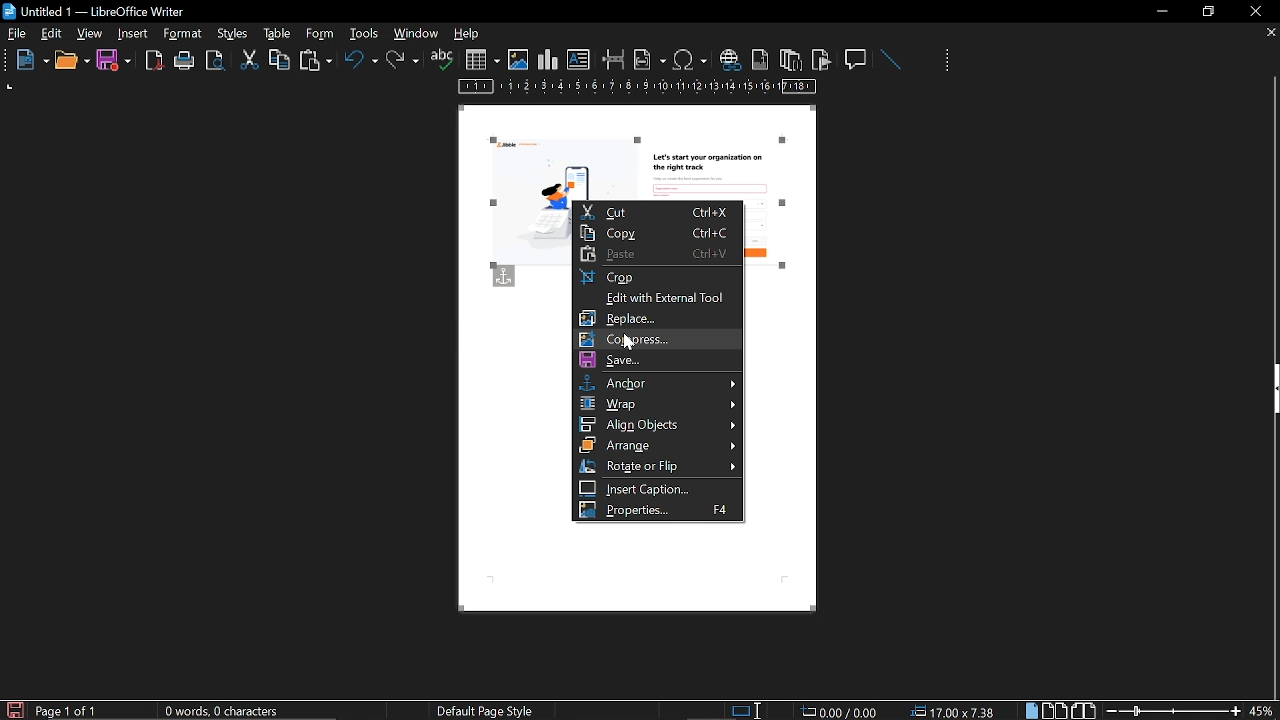 The image size is (1280, 720). I want to click on view, so click(91, 33).